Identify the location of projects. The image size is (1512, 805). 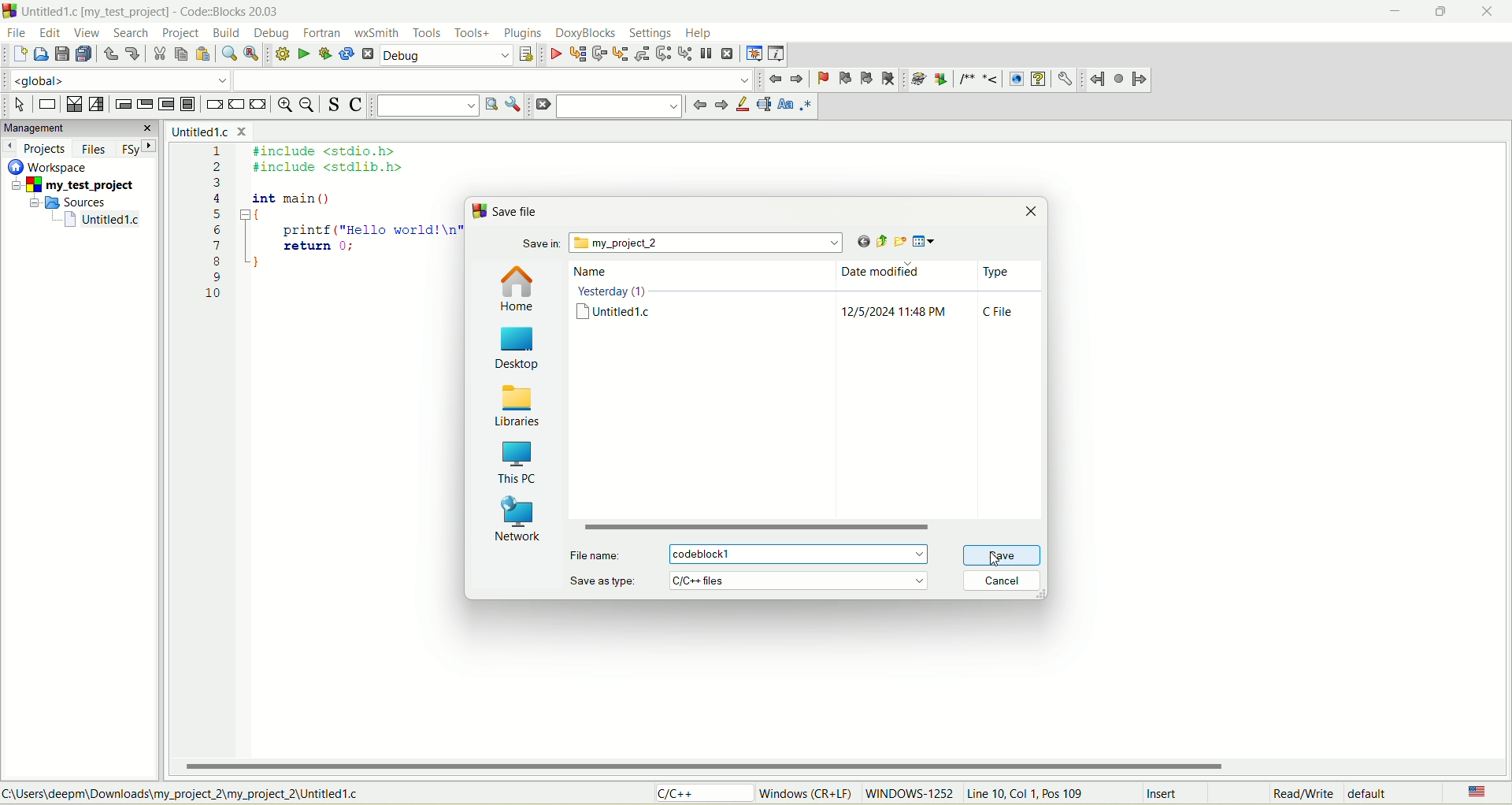
(37, 148).